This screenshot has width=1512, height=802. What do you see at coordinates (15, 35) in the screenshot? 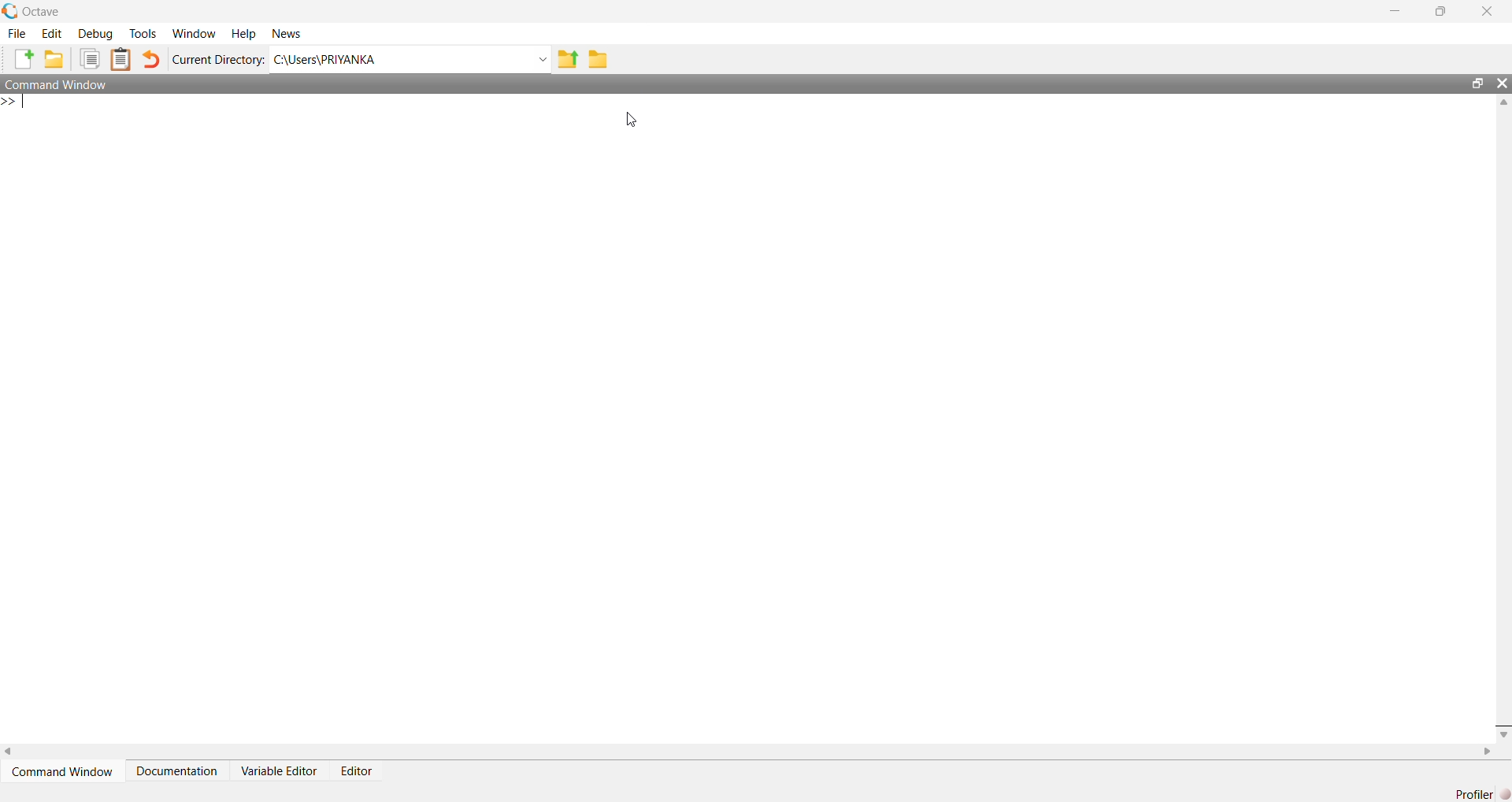
I see `File` at bounding box center [15, 35].